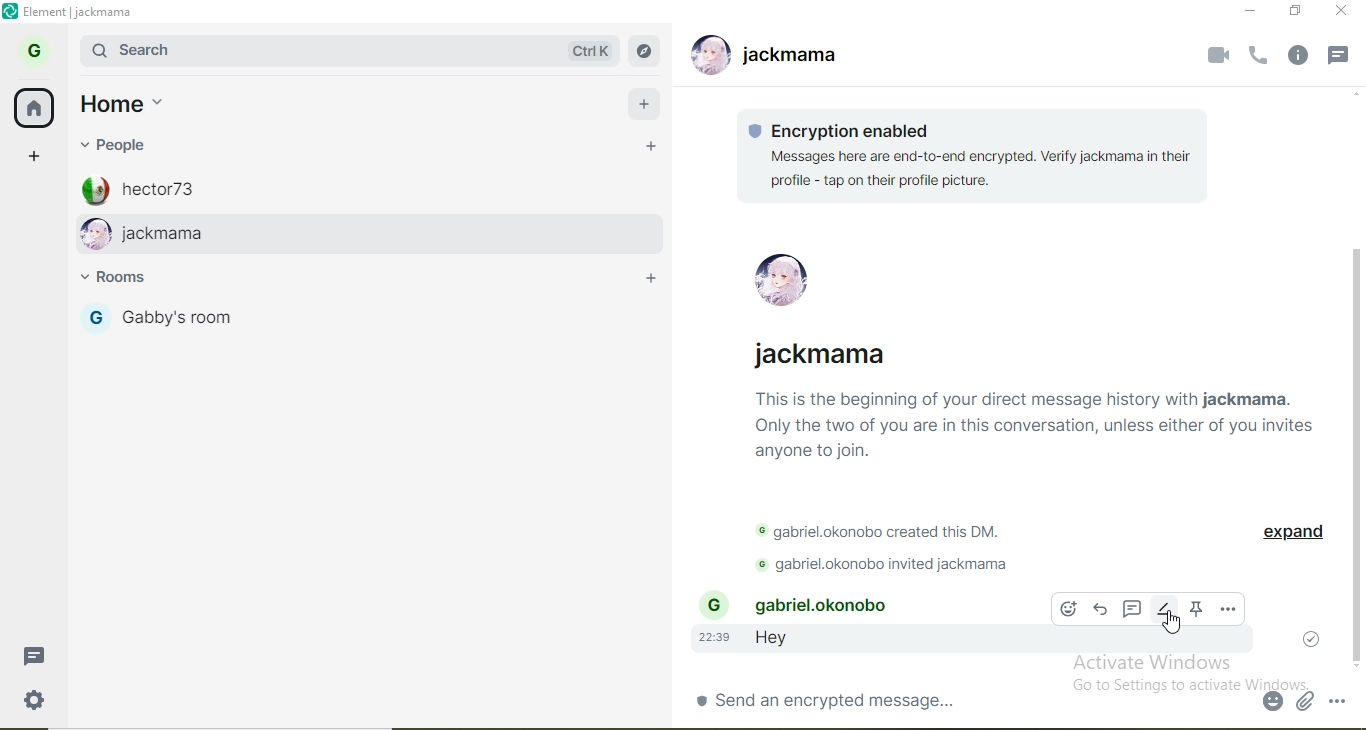  What do you see at coordinates (1171, 622) in the screenshot?
I see `cursor` at bounding box center [1171, 622].